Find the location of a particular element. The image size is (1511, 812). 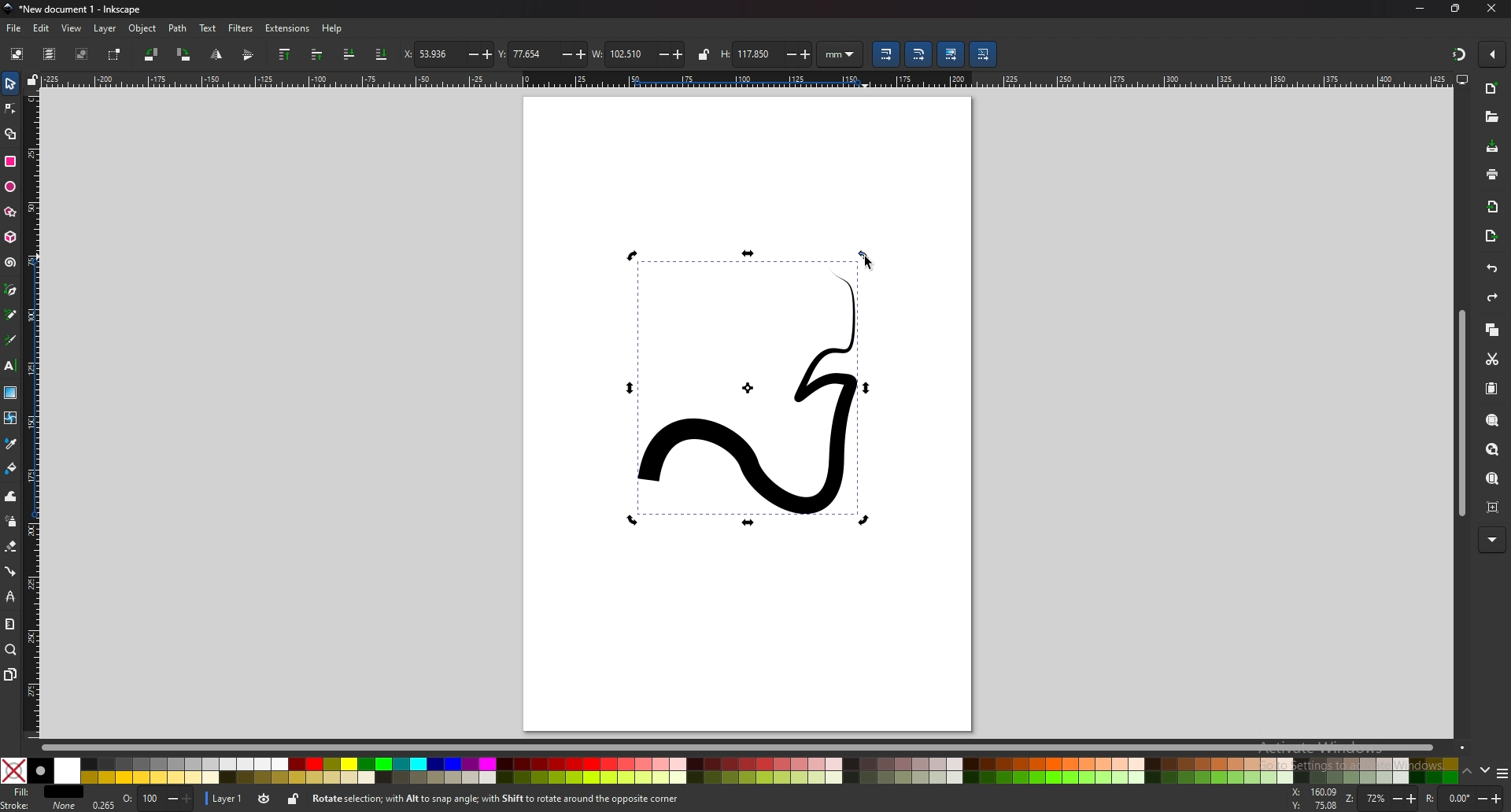

CLOSE is located at coordinates (1489, 9).